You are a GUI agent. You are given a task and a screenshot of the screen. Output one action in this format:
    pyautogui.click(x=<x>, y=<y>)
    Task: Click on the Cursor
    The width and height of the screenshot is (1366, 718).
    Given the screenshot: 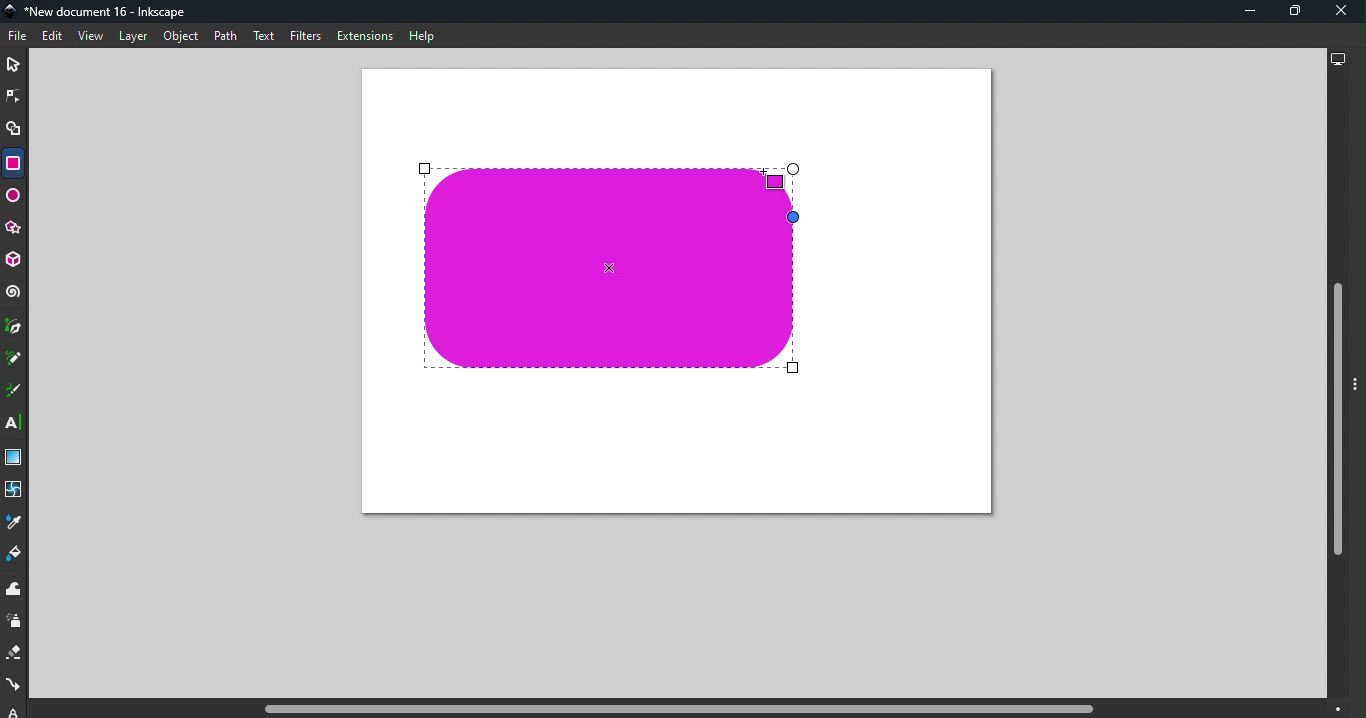 What is the action you would take?
    pyautogui.click(x=781, y=177)
    